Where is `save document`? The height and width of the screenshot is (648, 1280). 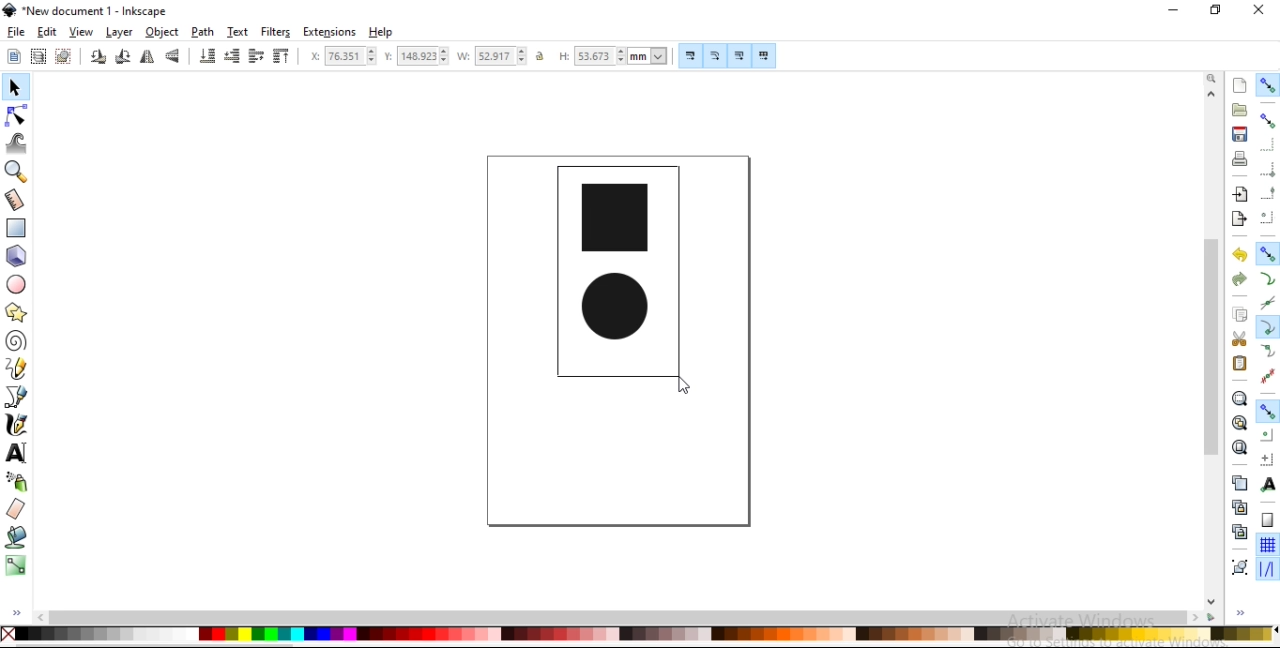 save document is located at coordinates (1239, 133).